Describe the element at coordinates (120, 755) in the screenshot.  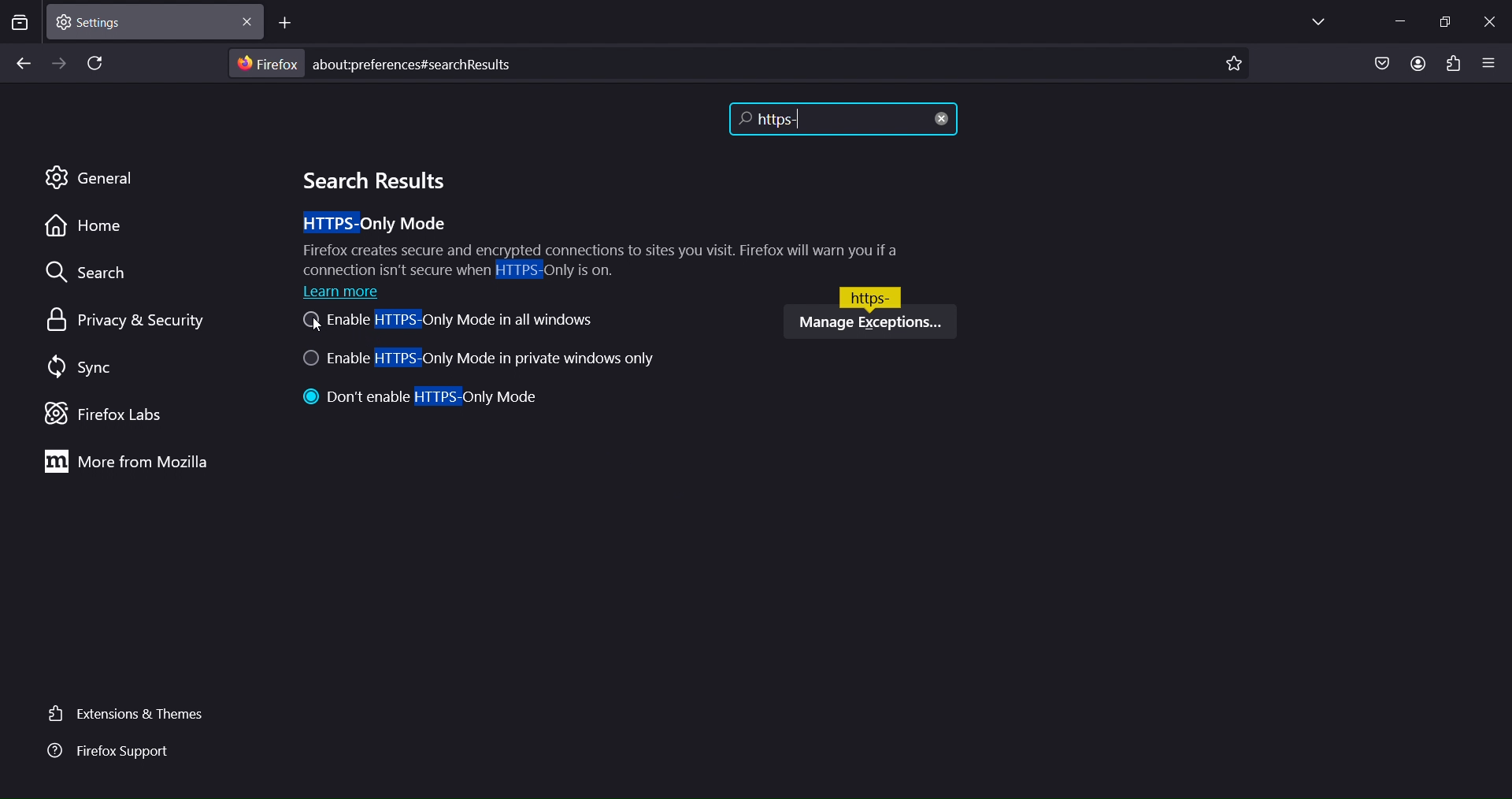
I see `firefox support` at that location.